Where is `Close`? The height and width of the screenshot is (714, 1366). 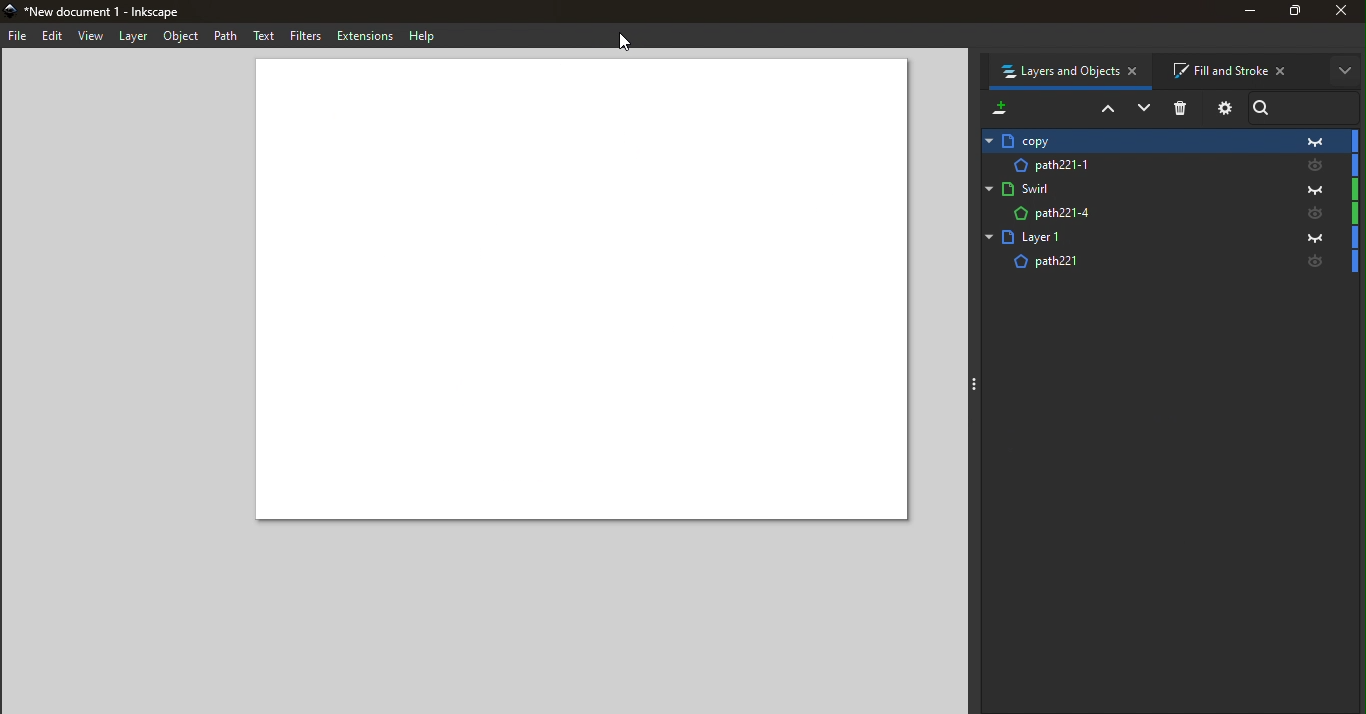
Close is located at coordinates (1345, 10).